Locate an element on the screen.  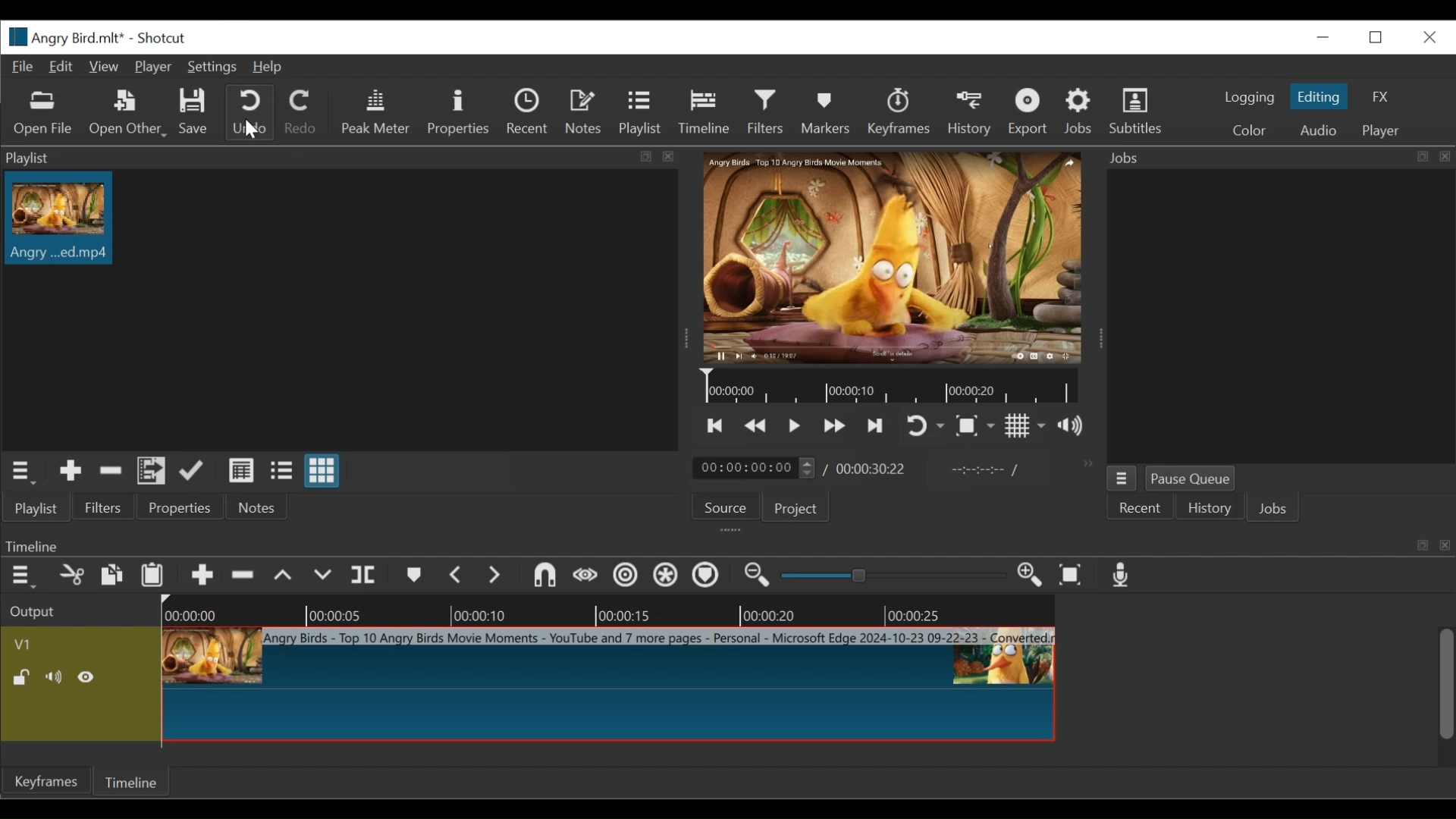
Jobs menu is located at coordinates (1122, 478).